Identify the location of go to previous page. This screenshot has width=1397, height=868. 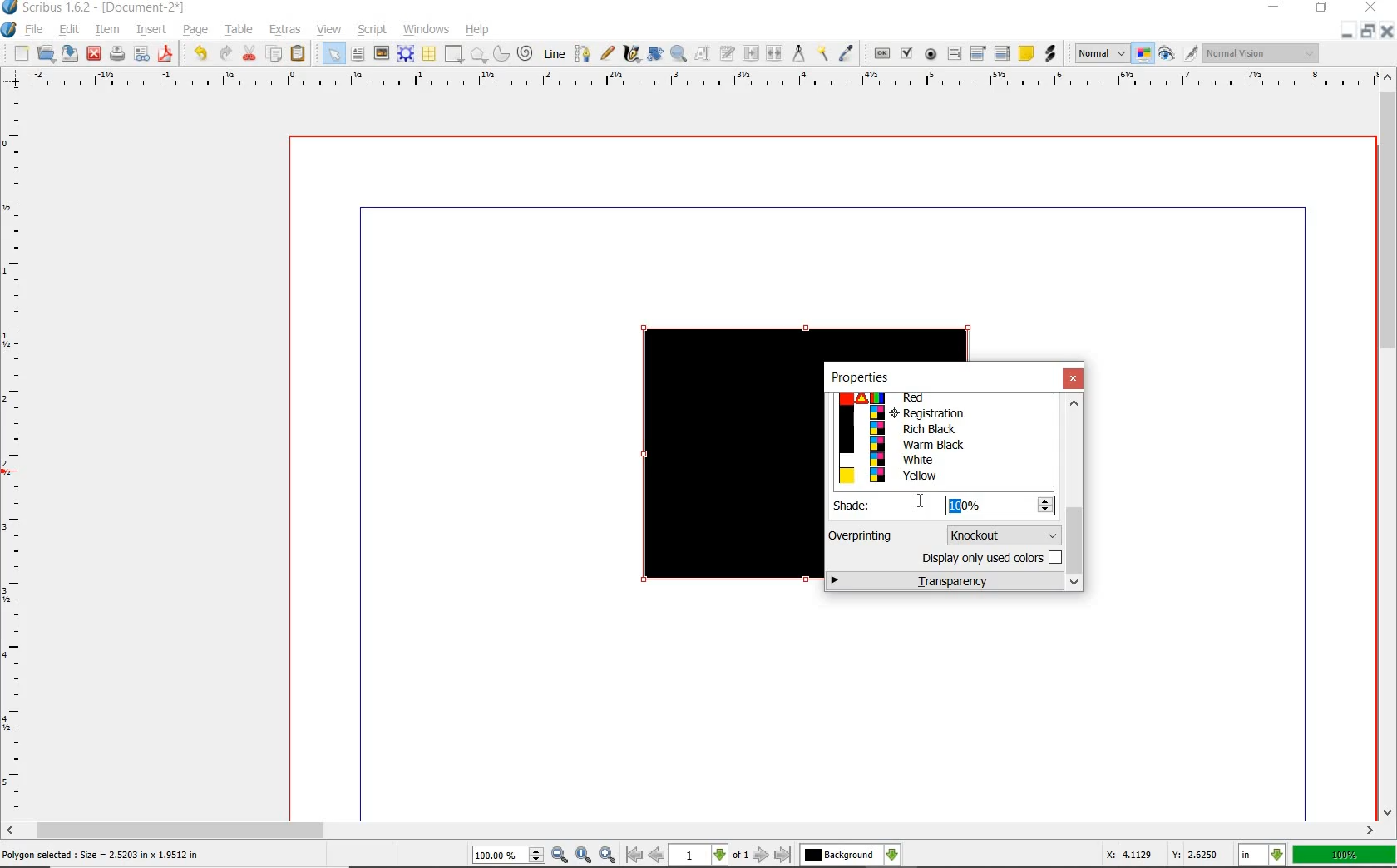
(657, 856).